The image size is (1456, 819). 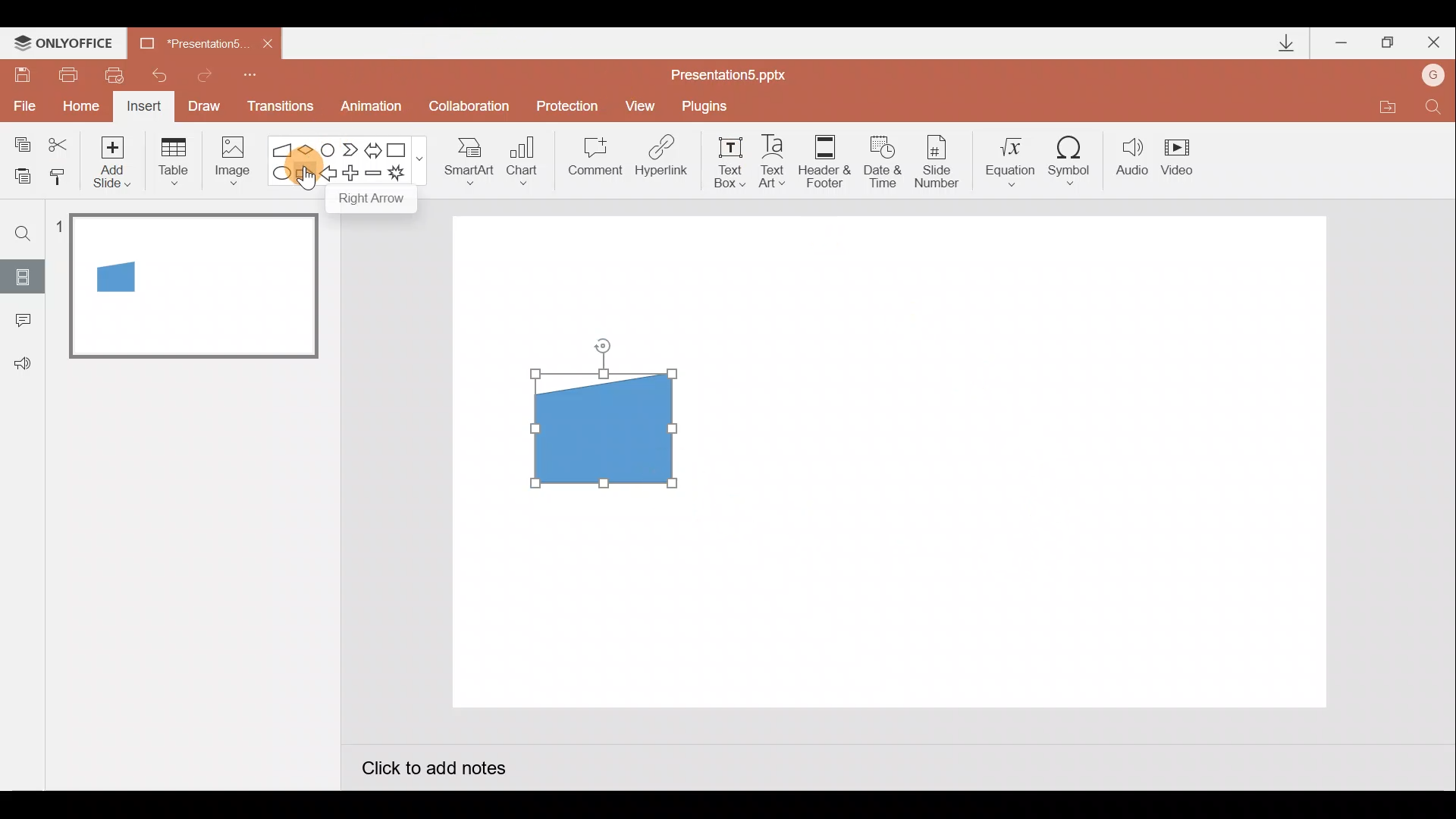 I want to click on Video, so click(x=1183, y=158).